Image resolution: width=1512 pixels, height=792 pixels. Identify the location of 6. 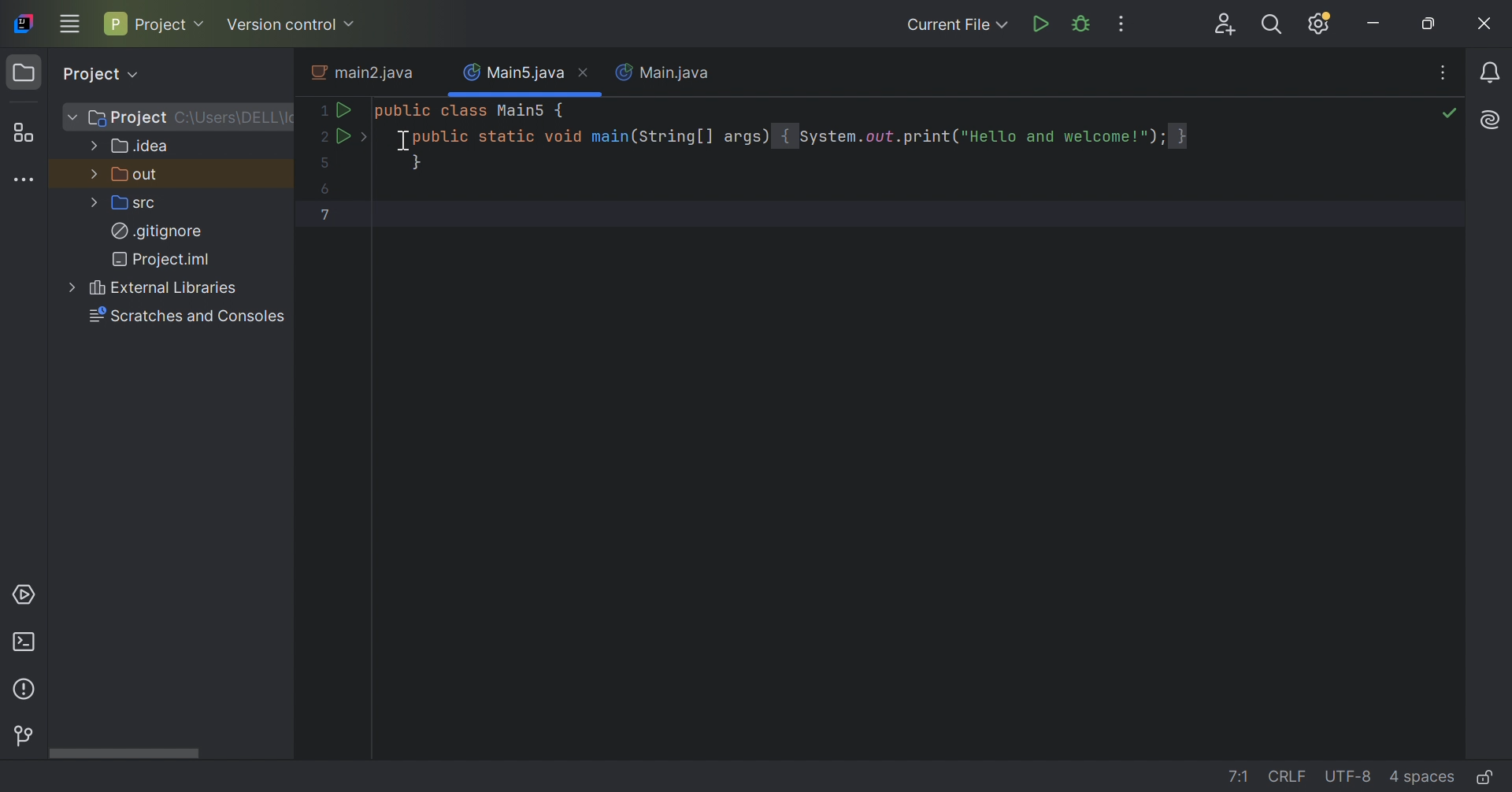
(326, 241).